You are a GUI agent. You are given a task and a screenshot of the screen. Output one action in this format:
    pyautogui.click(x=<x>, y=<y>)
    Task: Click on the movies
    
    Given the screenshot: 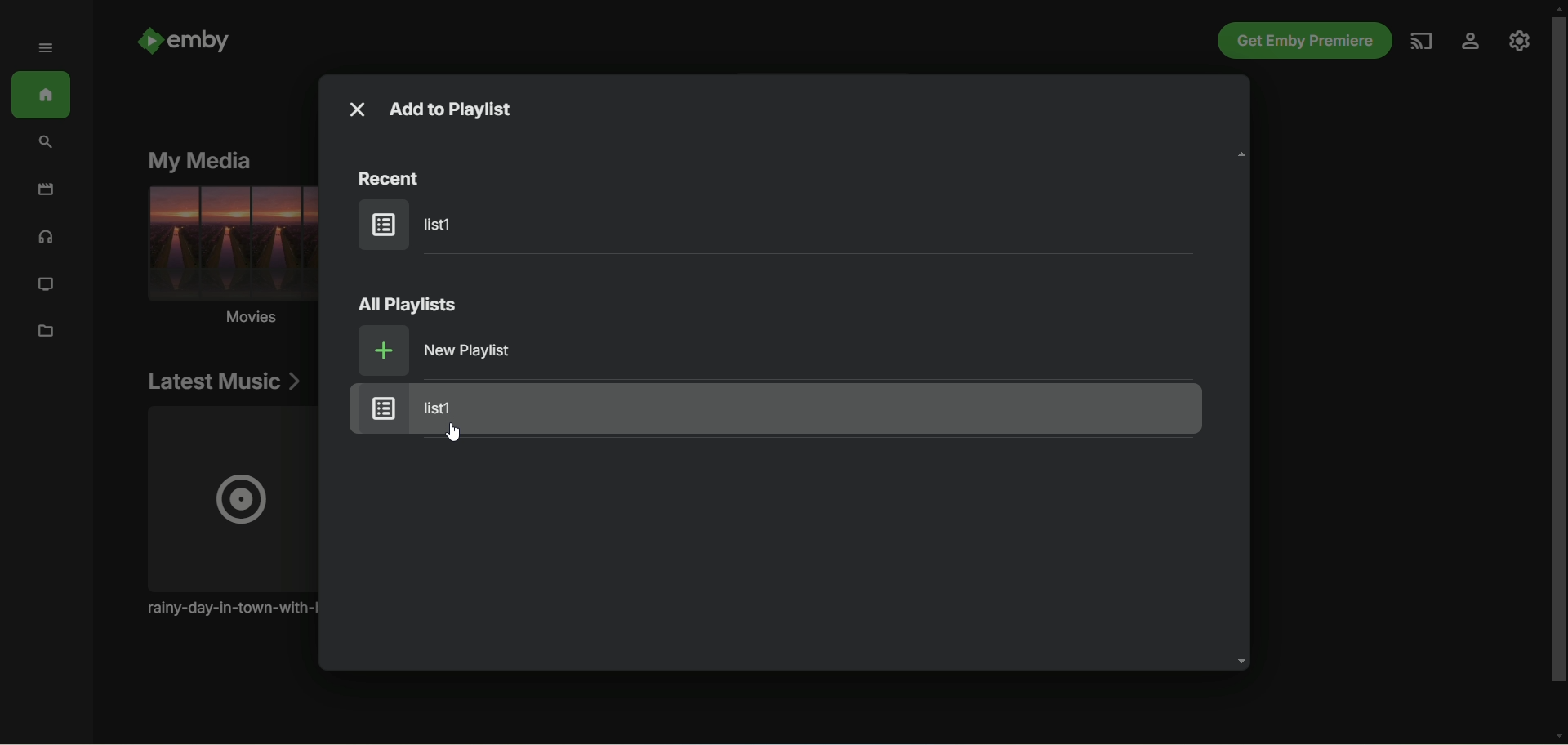 What is the action you would take?
    pyautogui.click(x=45, y=189)
    